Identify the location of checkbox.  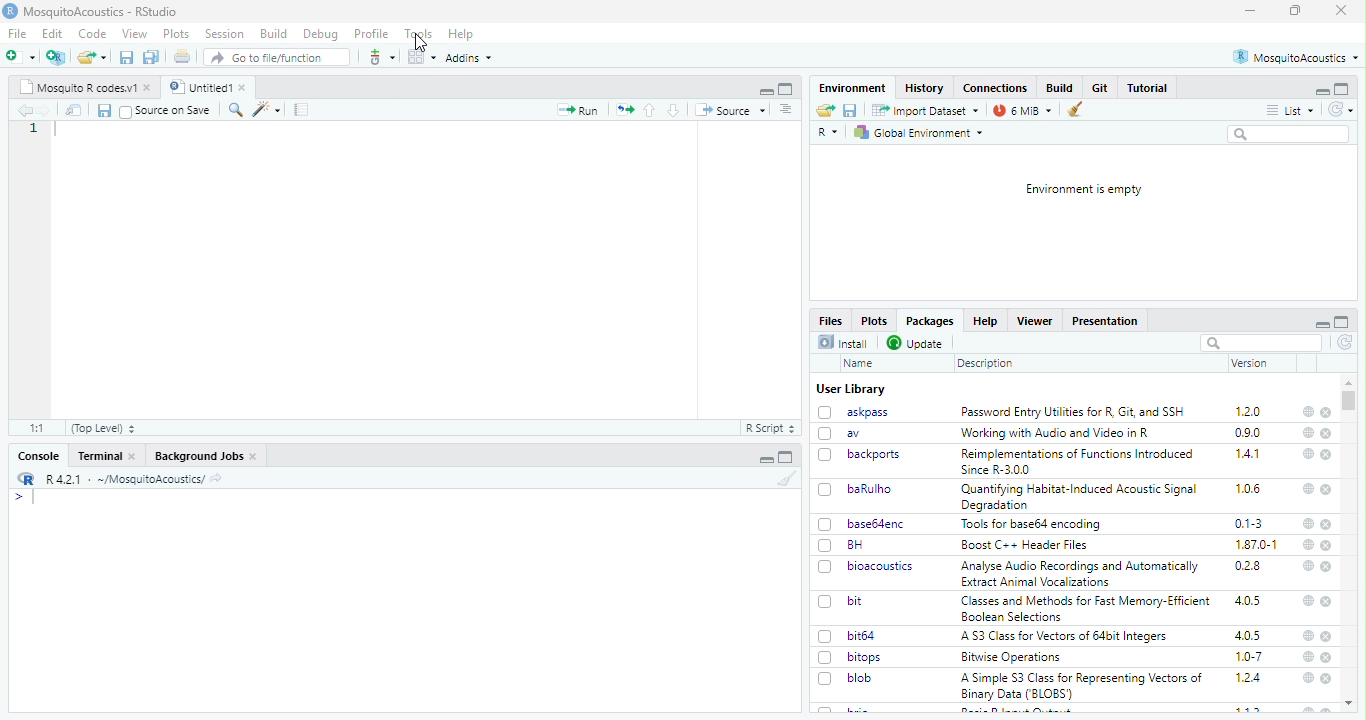
(826, 525).